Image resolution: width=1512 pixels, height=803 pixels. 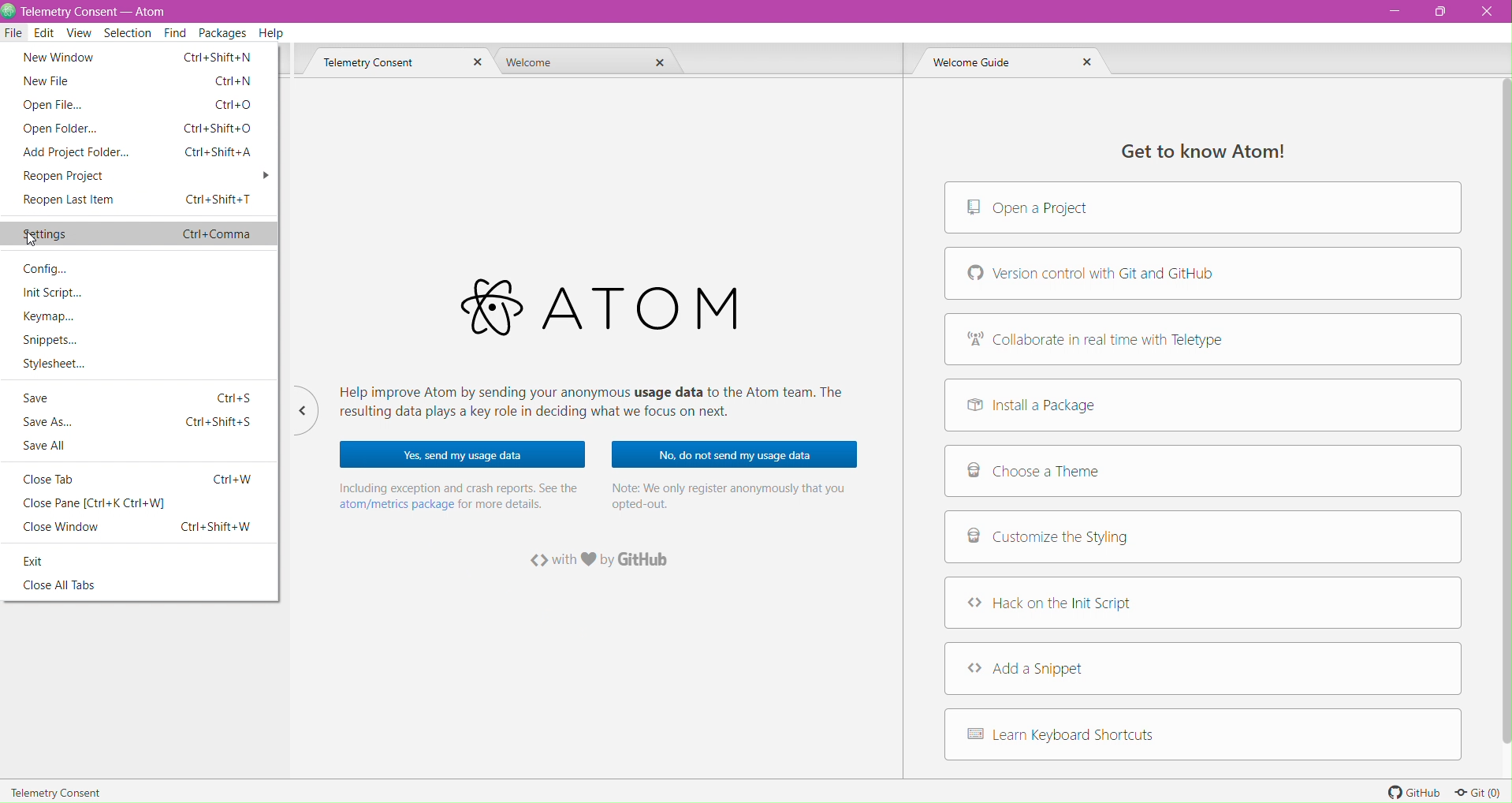 What do you see at coordinates (173, 33) in the screenshot?
I see `Find` at bounding box center [173, 33].